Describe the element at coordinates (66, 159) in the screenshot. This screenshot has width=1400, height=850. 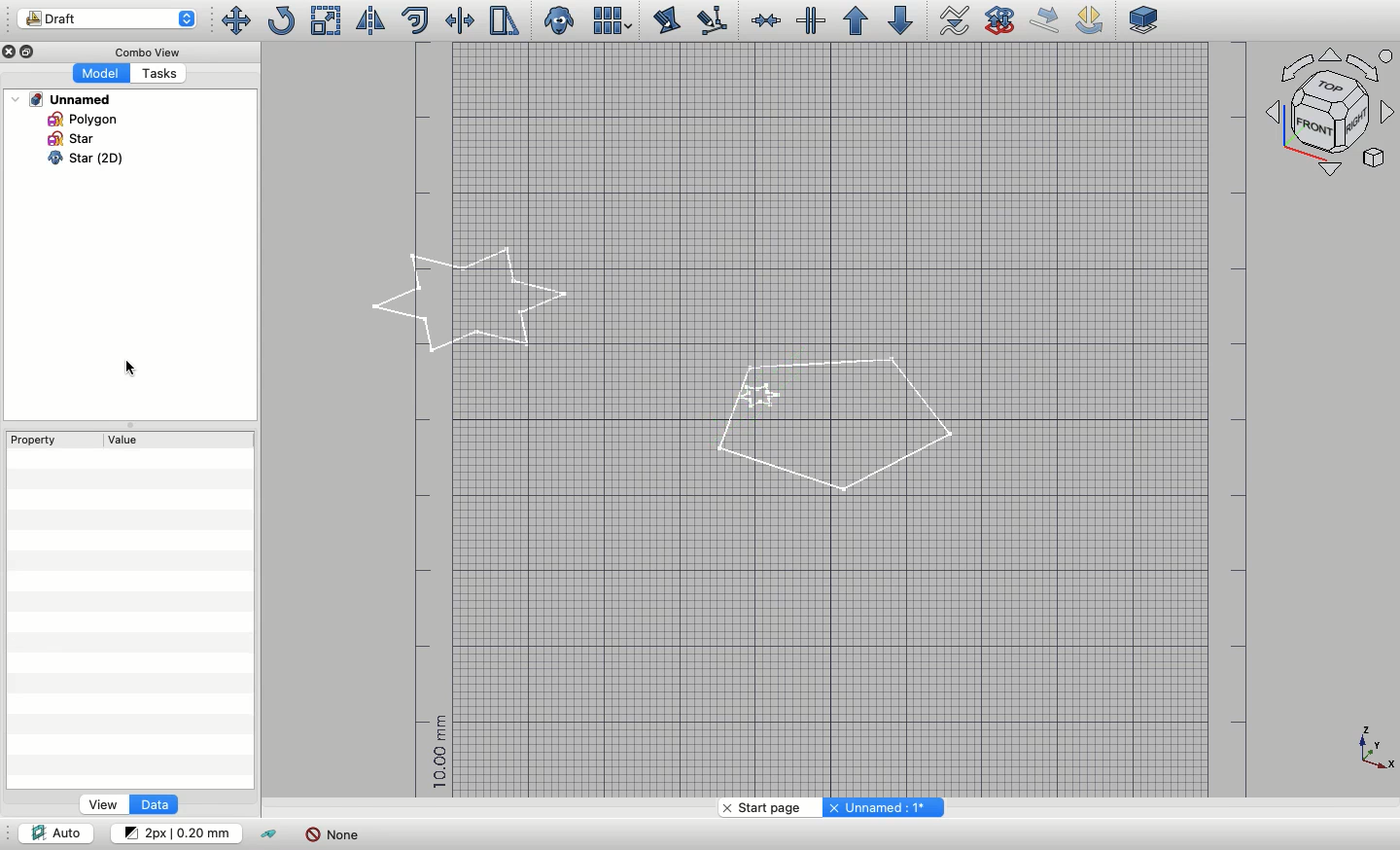
I see `Star clone` at that location.